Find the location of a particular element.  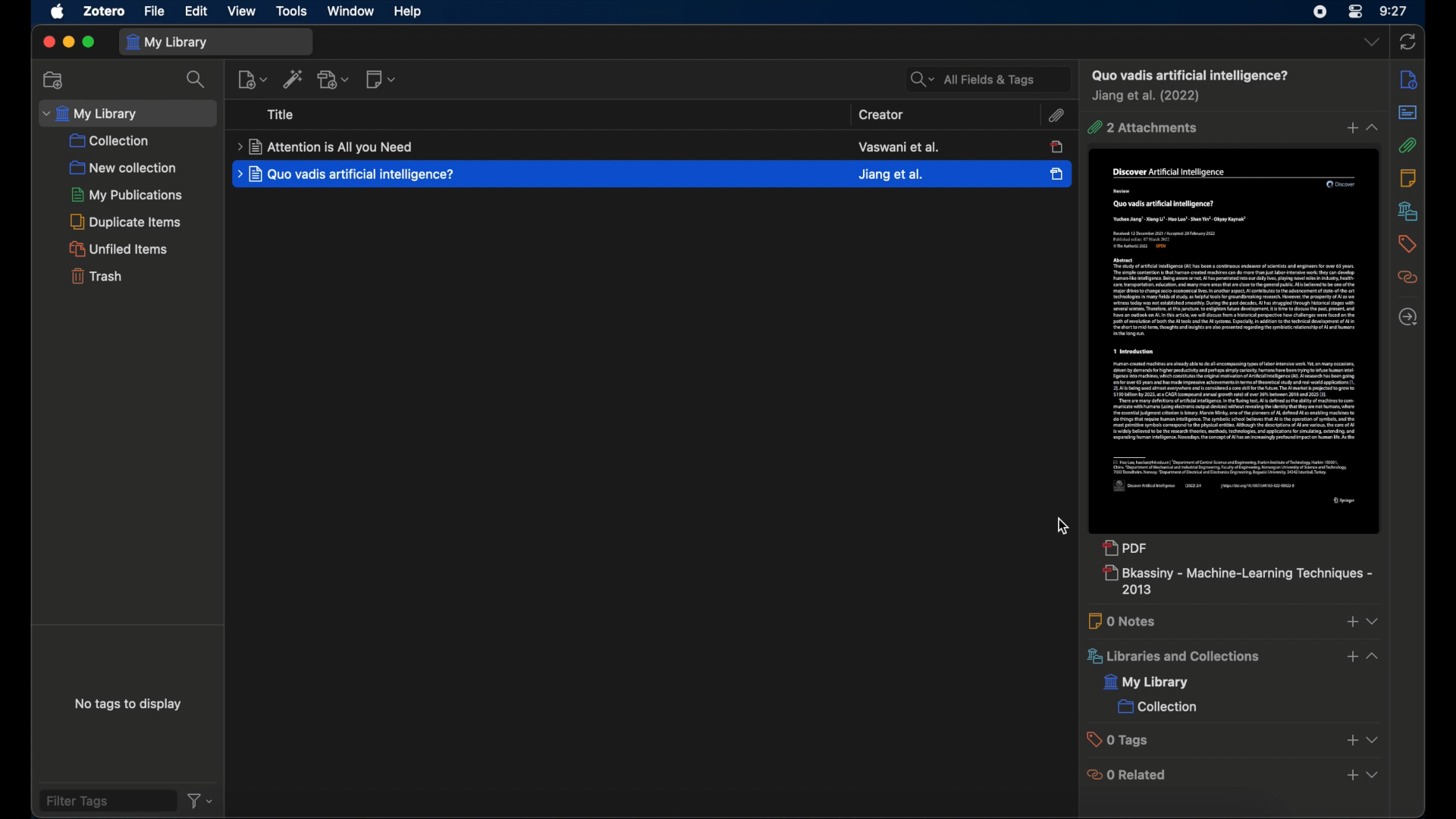

new collection is located at coordinates (124, 167).